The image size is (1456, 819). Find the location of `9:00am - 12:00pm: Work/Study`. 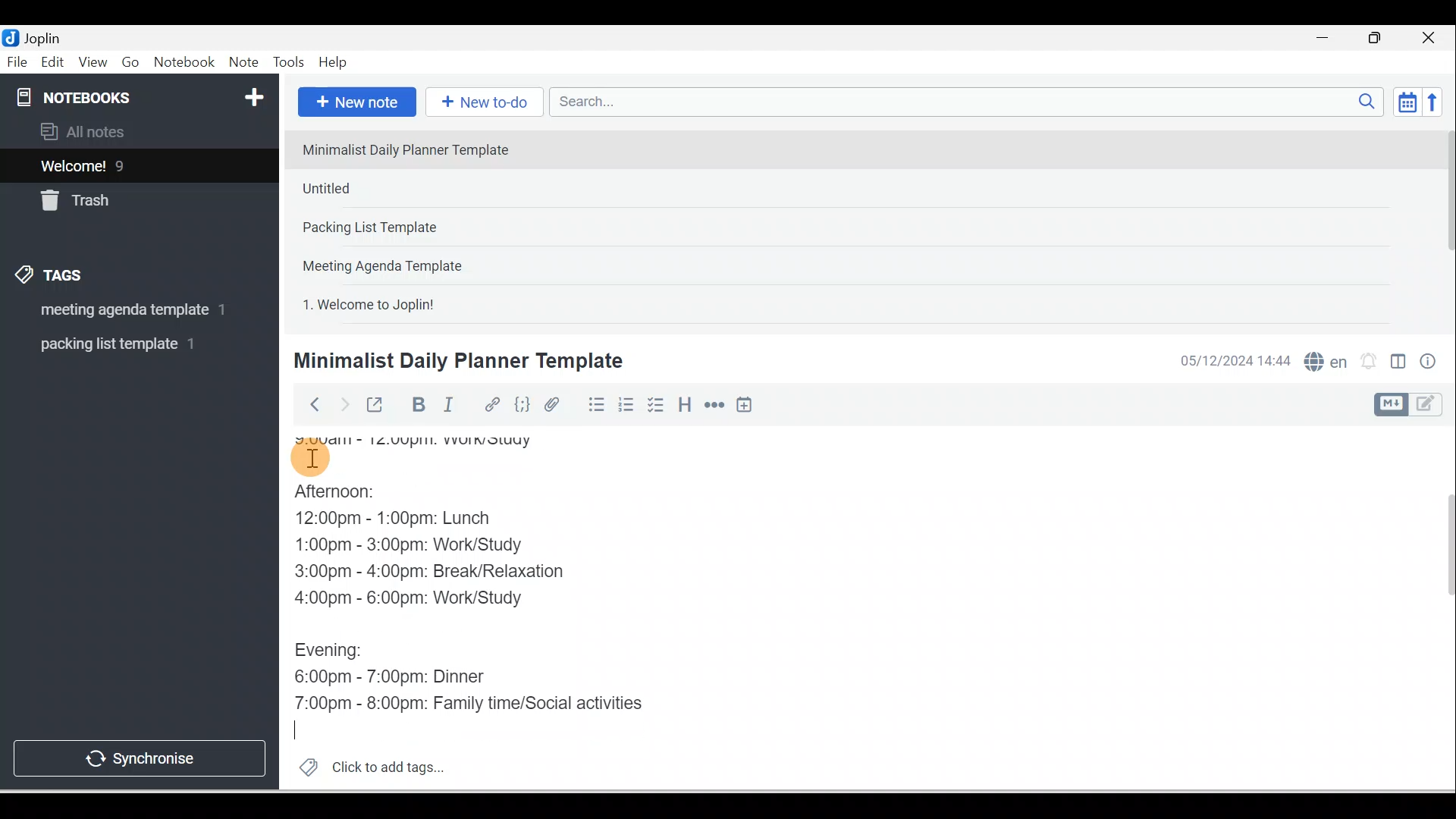

9:00am - 12:00pm: Work/Study is located at coordinates (438, 437).